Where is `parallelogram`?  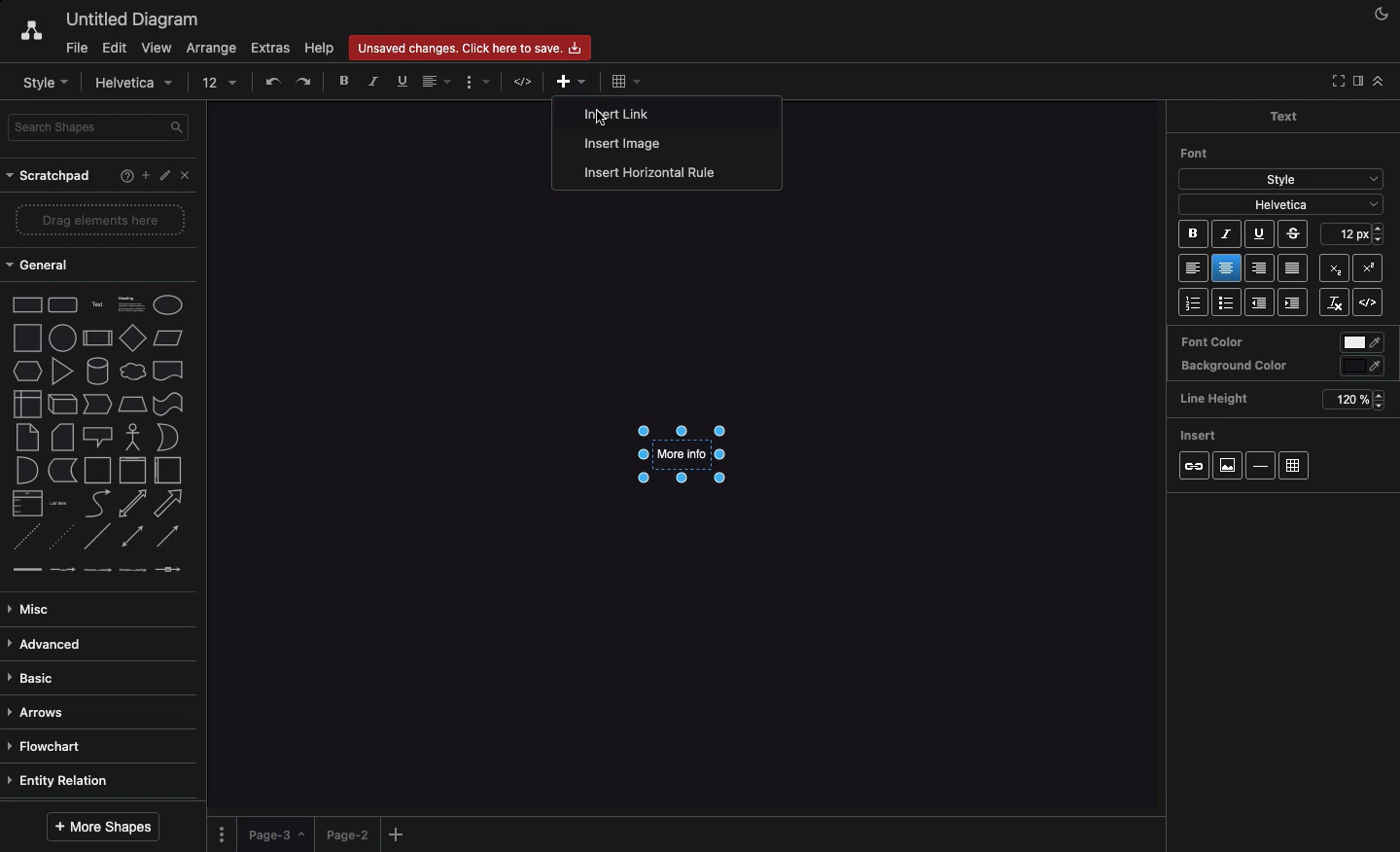 parallelogram is located at coordinates (168, 337).